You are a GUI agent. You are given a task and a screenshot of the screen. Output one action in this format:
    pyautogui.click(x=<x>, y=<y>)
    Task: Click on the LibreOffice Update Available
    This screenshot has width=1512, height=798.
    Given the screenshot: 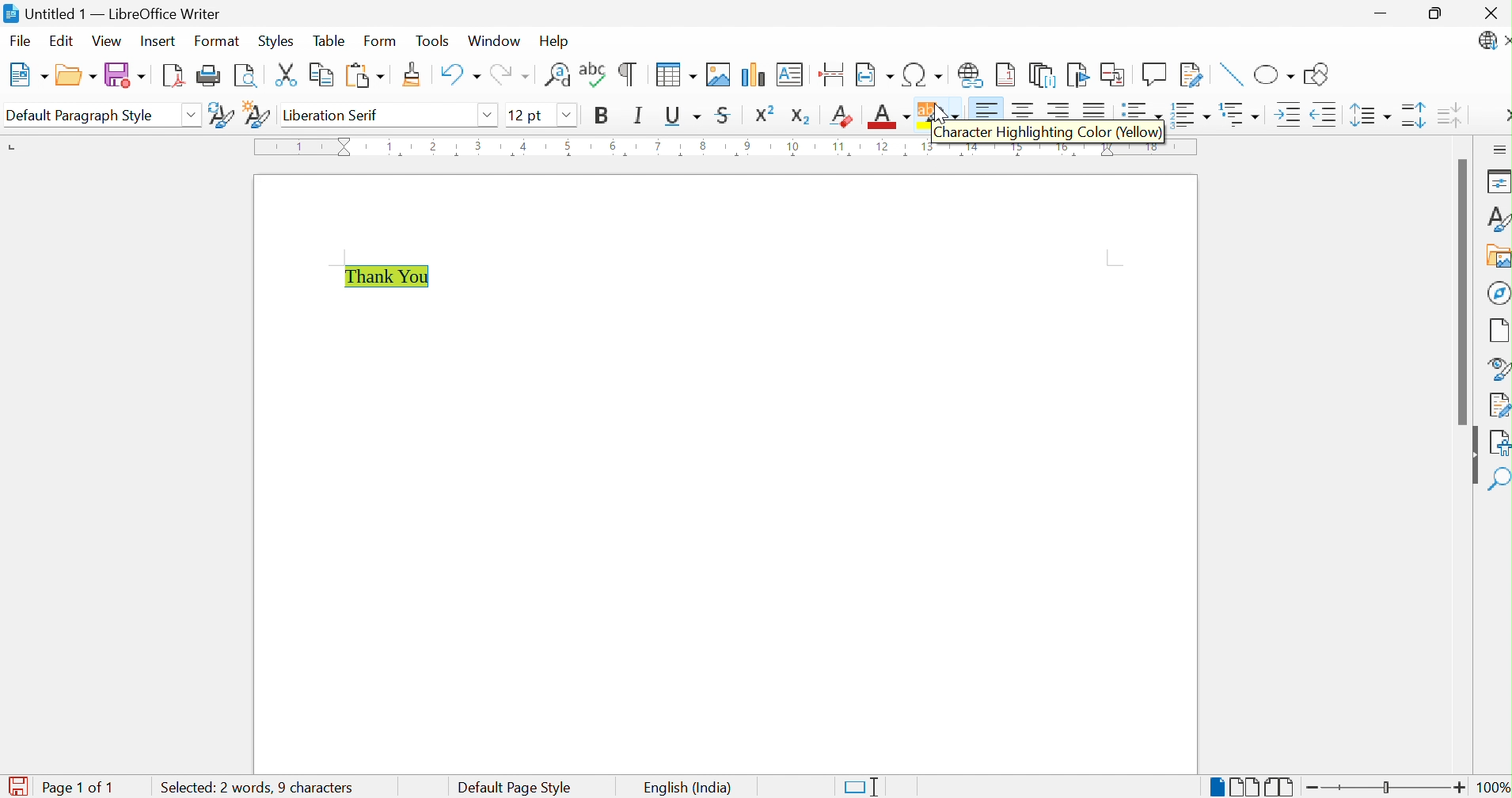 What is the action you would take?
    pyautogui.click(x=1493, y=43)
    